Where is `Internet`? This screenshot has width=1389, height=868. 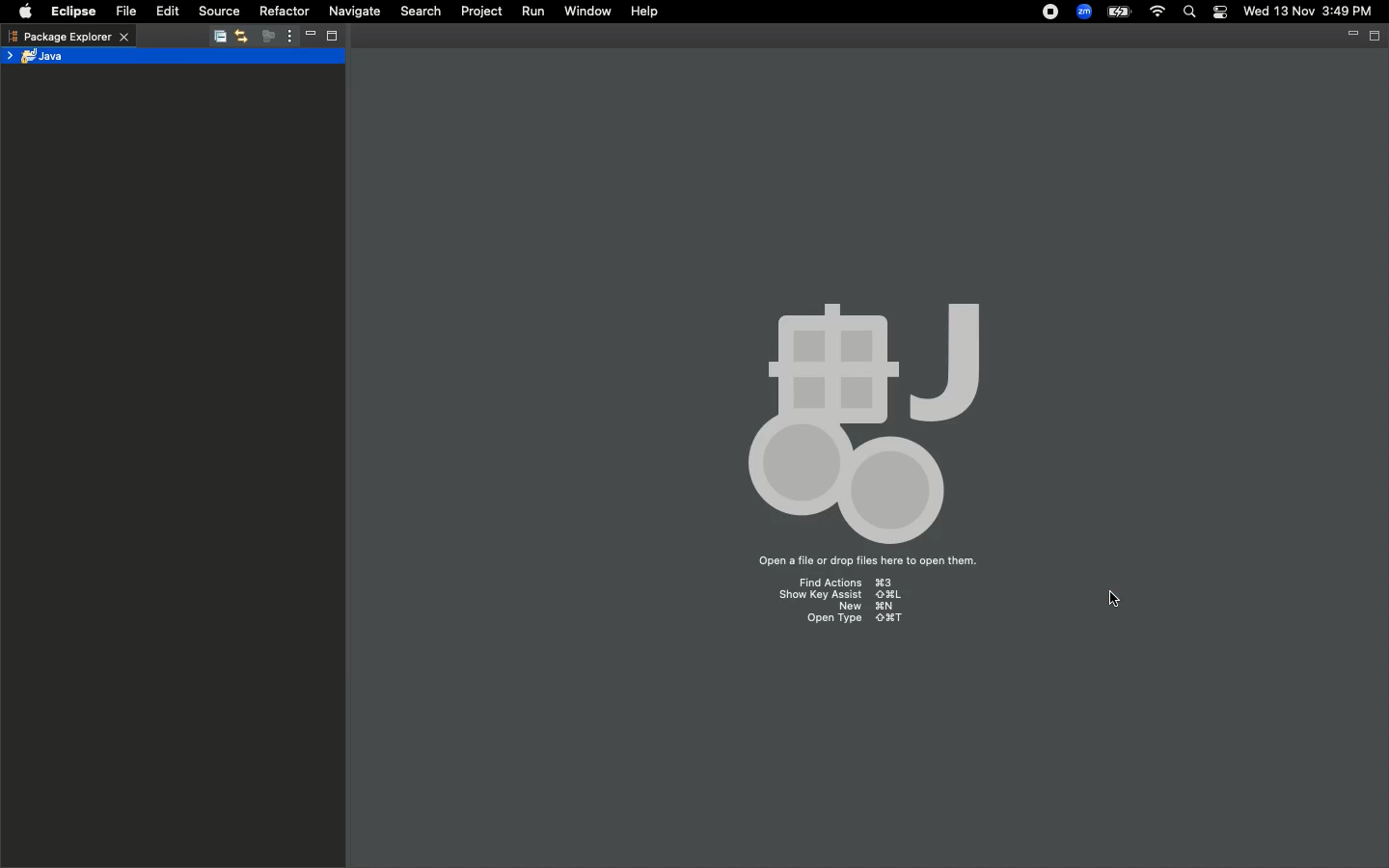
Internet is located at coordinates (1158, 13).